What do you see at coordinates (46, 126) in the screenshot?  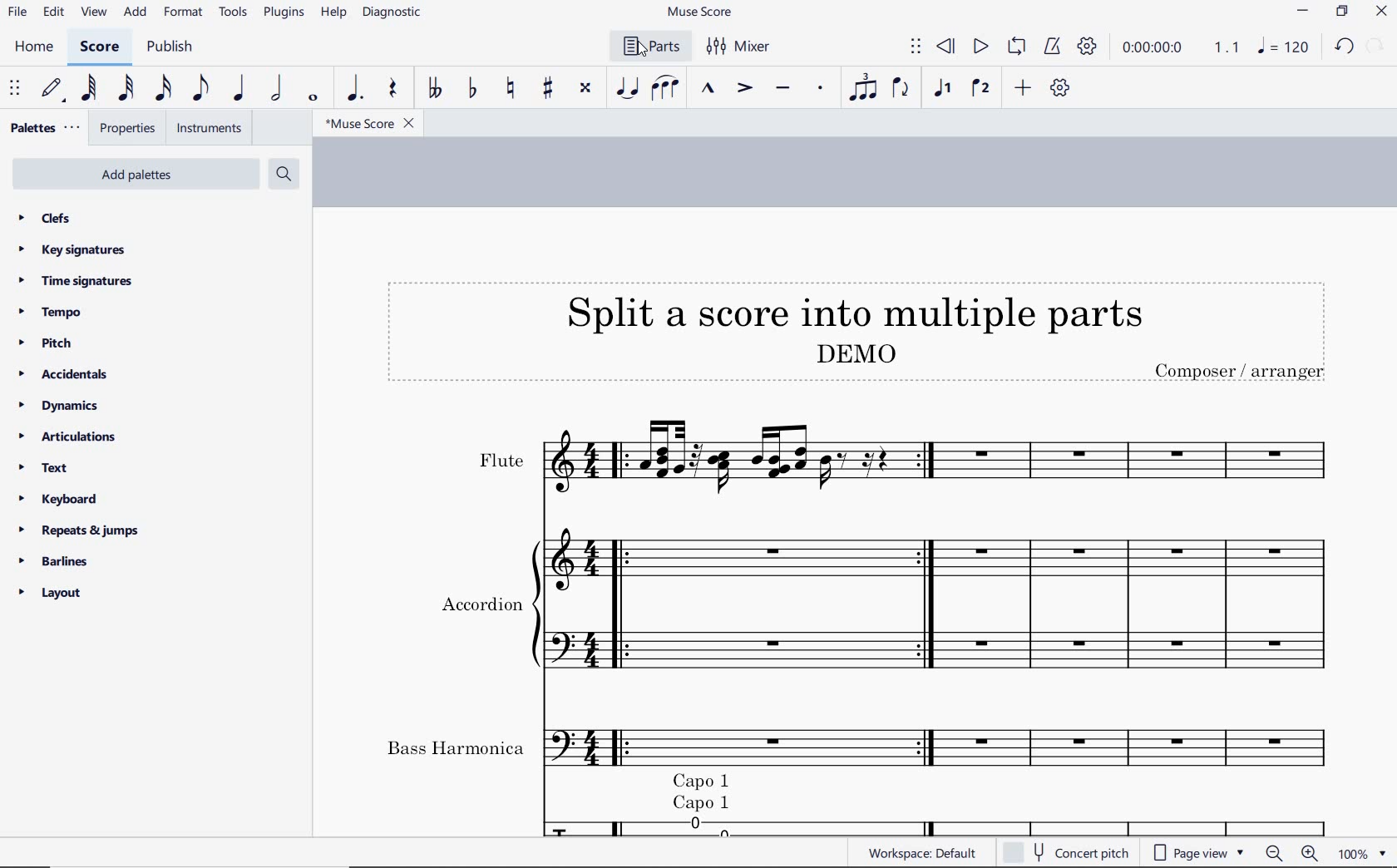 I see `palettes` at bounding box center [46, 126].